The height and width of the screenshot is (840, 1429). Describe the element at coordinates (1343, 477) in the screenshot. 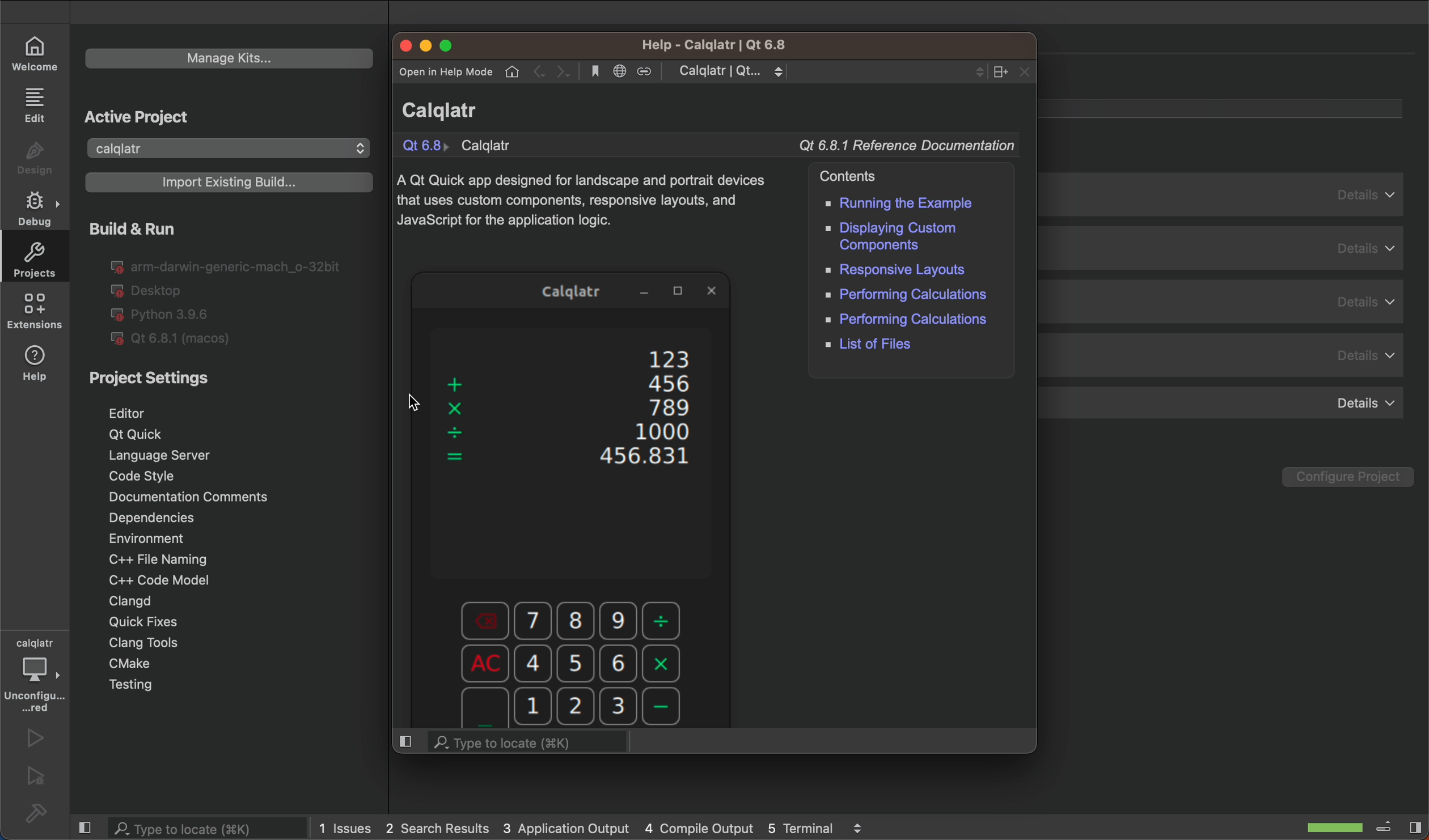

I see `Configure Project` at that location.